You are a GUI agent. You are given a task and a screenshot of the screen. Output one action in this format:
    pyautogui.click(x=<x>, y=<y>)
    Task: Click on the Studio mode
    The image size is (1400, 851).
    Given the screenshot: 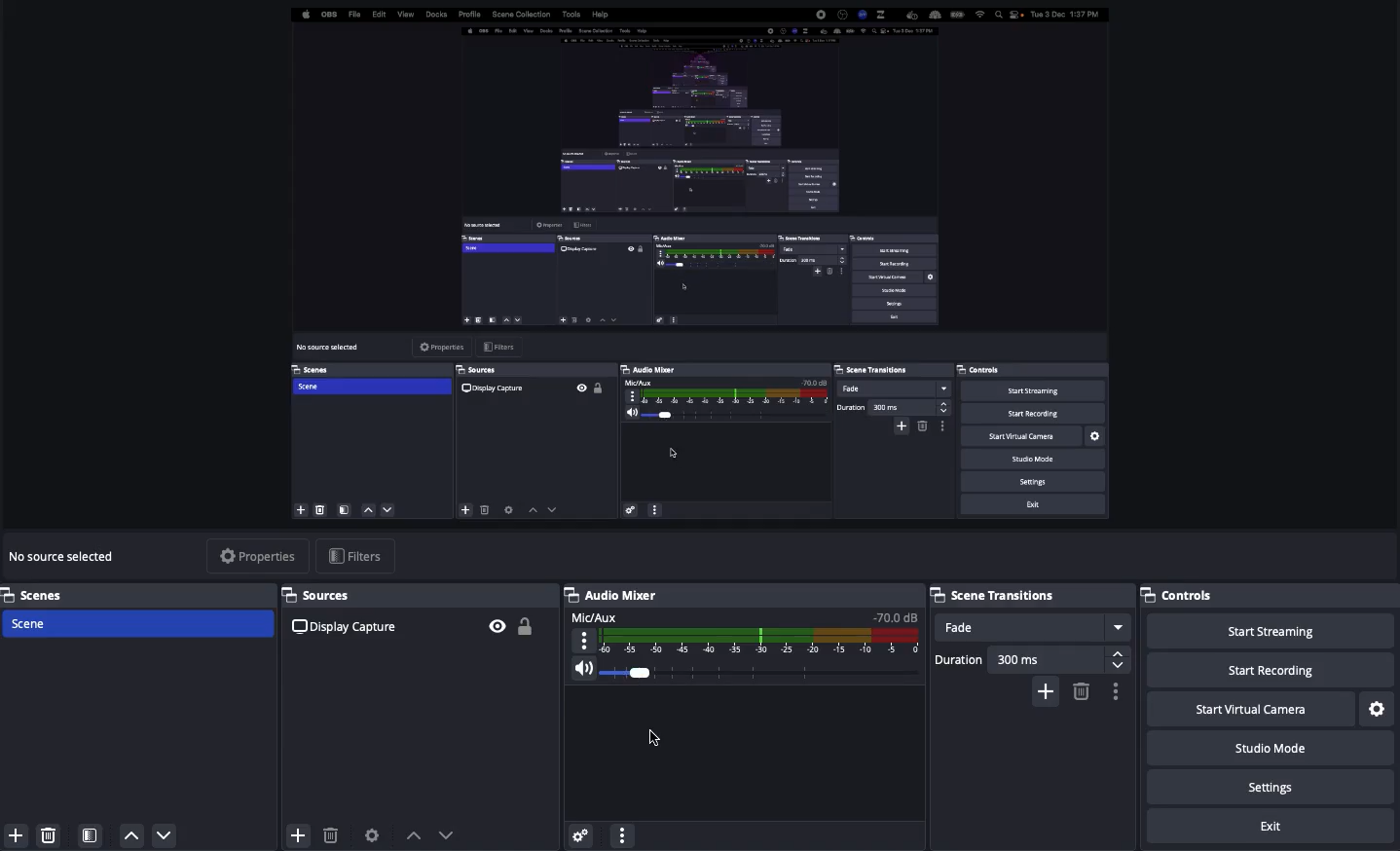 What is the action you would take?
    pyautogui.click(x=1268, y=752)
    